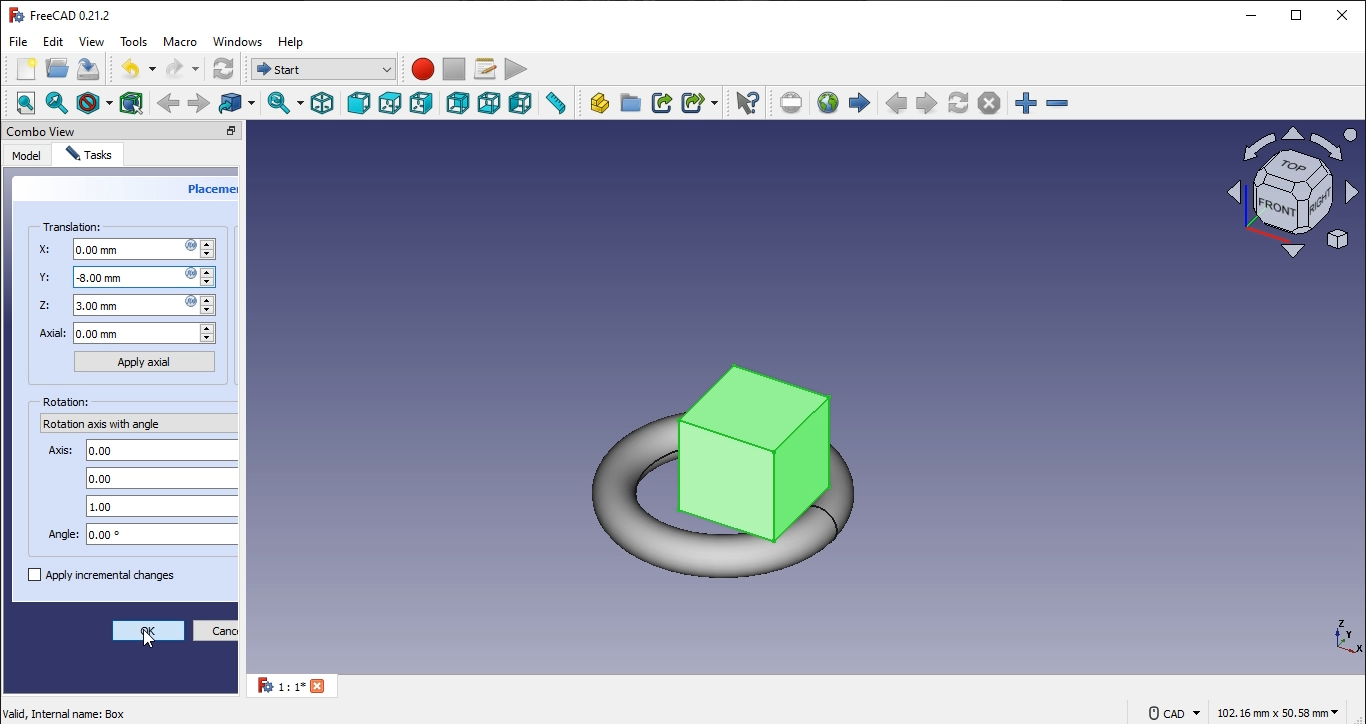 This screenshot has height=724, width=1366. I want to click on refresh, so click(960, 102).